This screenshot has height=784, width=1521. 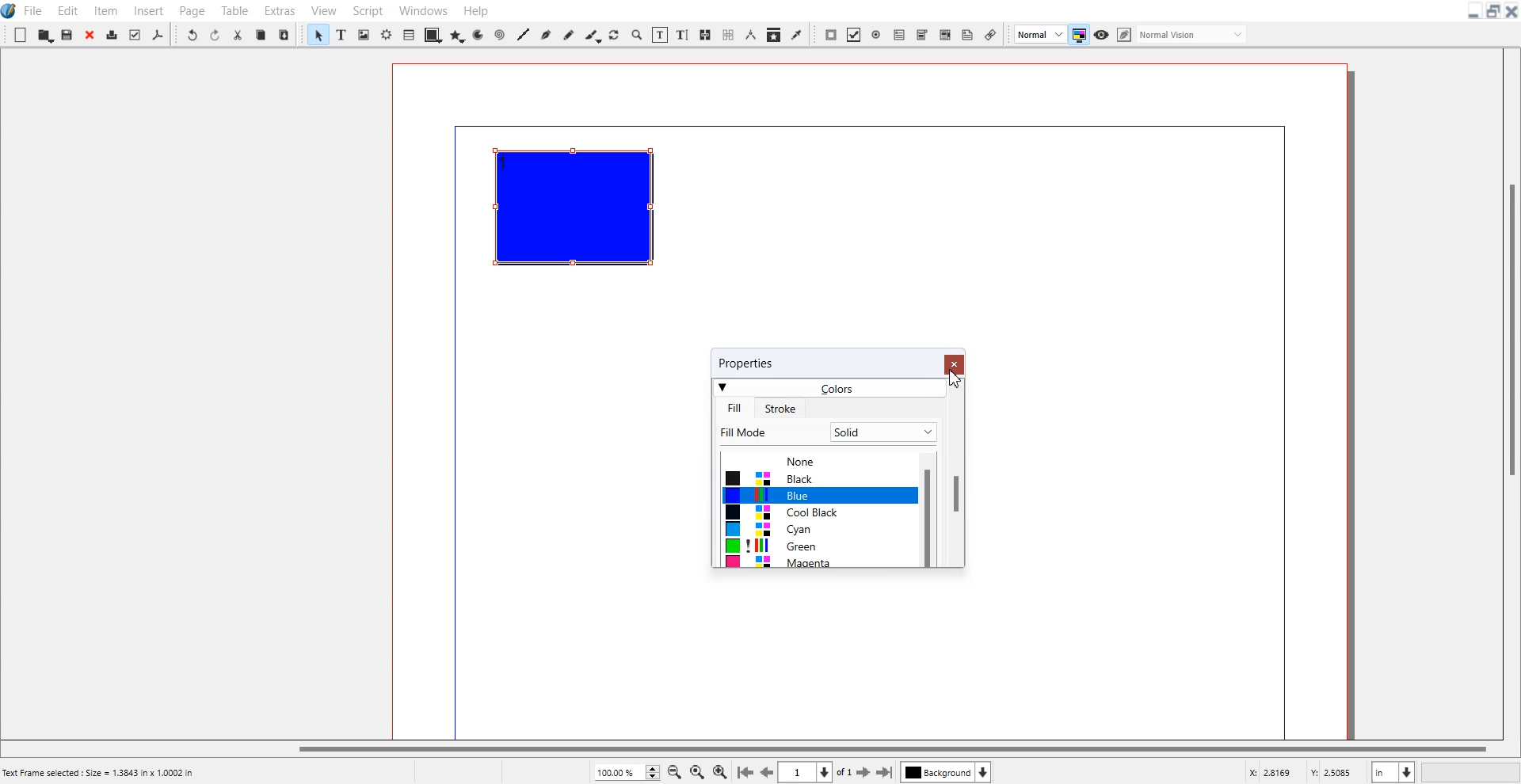 What do you see at coordinates (581, 215) in the screenshot?
I see `Text Frame` at bounding box center [581, 215].